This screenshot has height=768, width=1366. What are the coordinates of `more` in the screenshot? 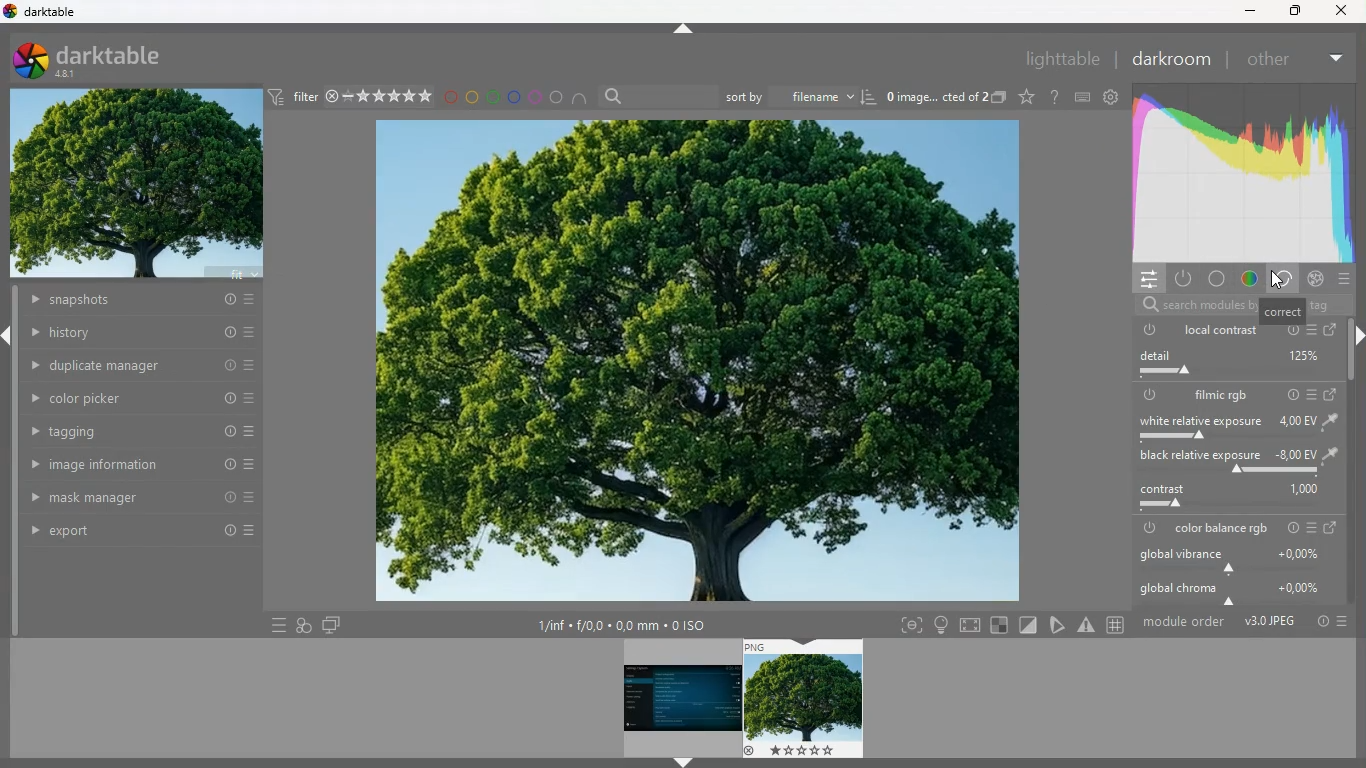 It's located at (1316, 397).